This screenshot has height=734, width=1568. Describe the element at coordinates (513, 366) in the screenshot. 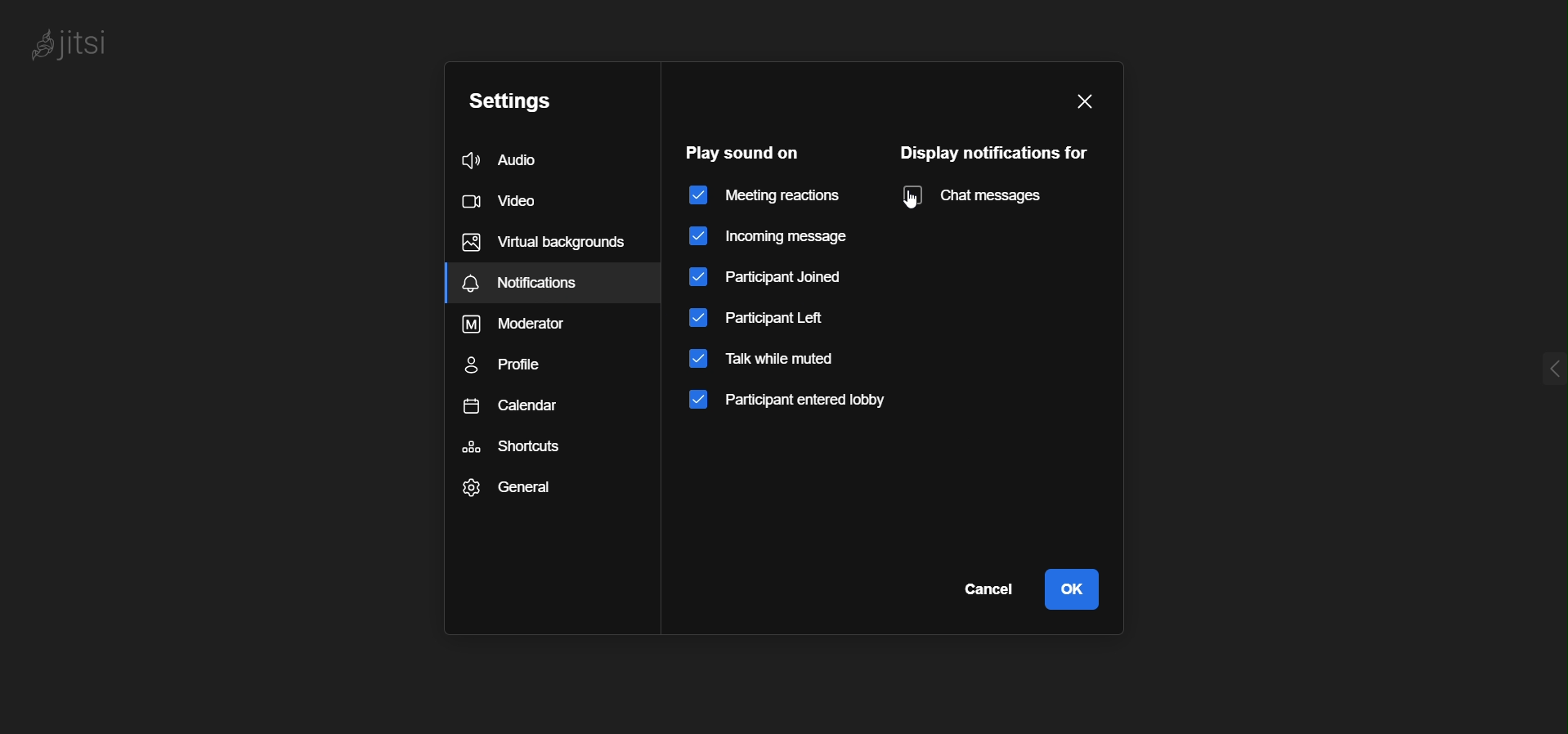

I see `profile` at that location.